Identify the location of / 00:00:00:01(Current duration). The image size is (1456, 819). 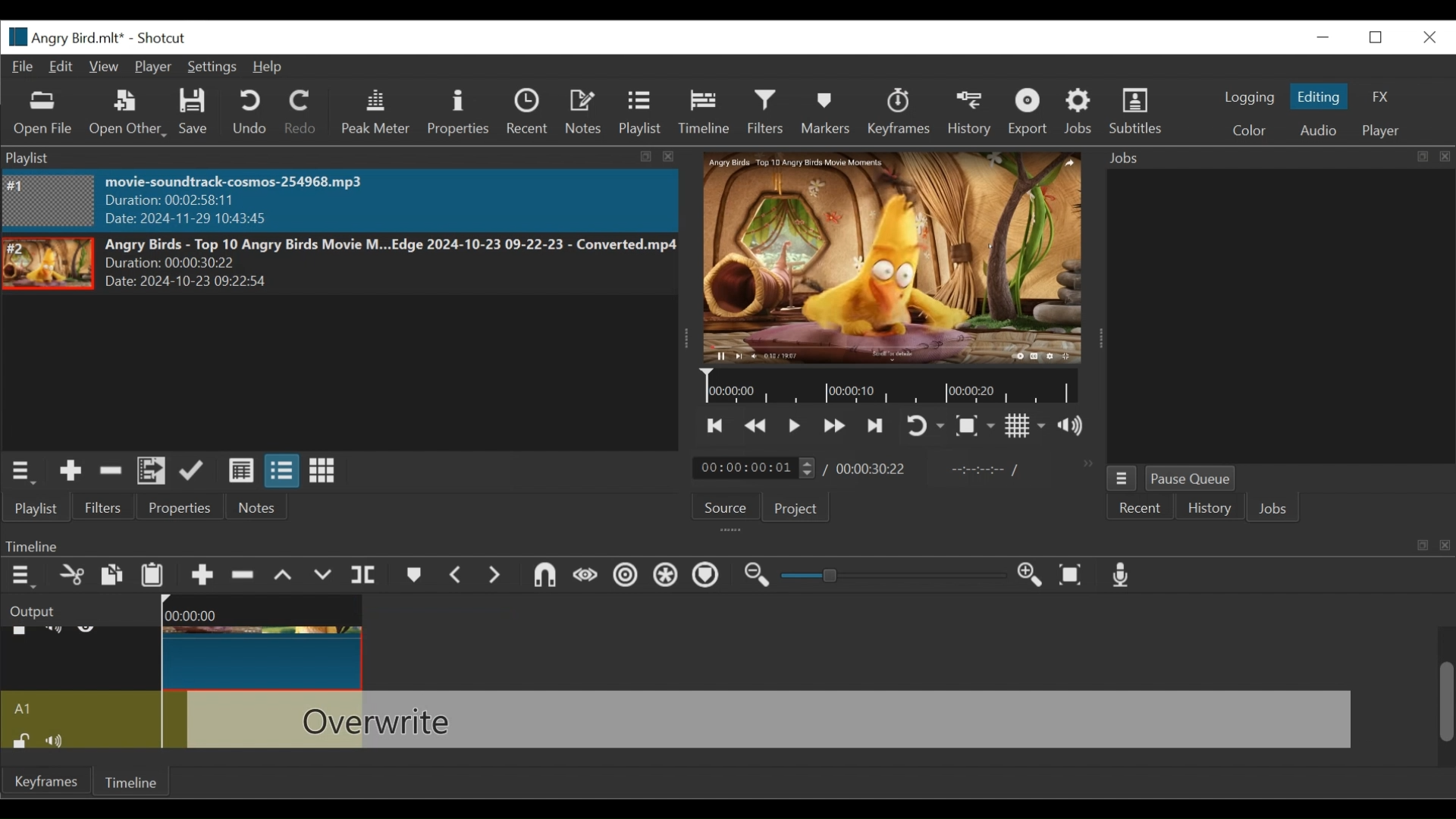
(748, 467).